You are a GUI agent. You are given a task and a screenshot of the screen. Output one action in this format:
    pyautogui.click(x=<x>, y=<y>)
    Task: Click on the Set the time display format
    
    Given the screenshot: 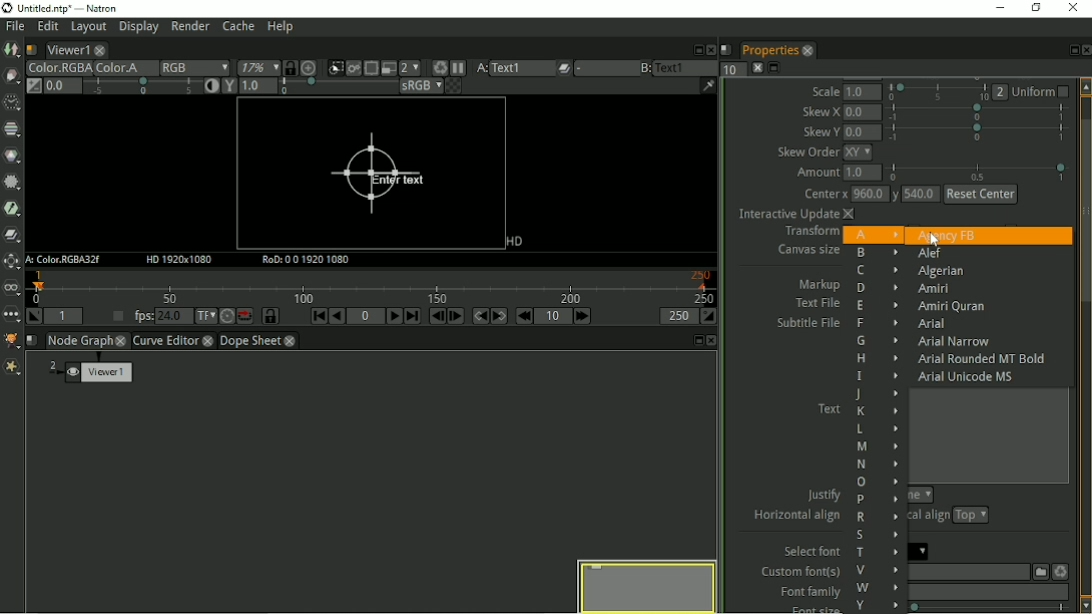 What is the action you would take?
    pyautogui.click(x=206, y=316)
    